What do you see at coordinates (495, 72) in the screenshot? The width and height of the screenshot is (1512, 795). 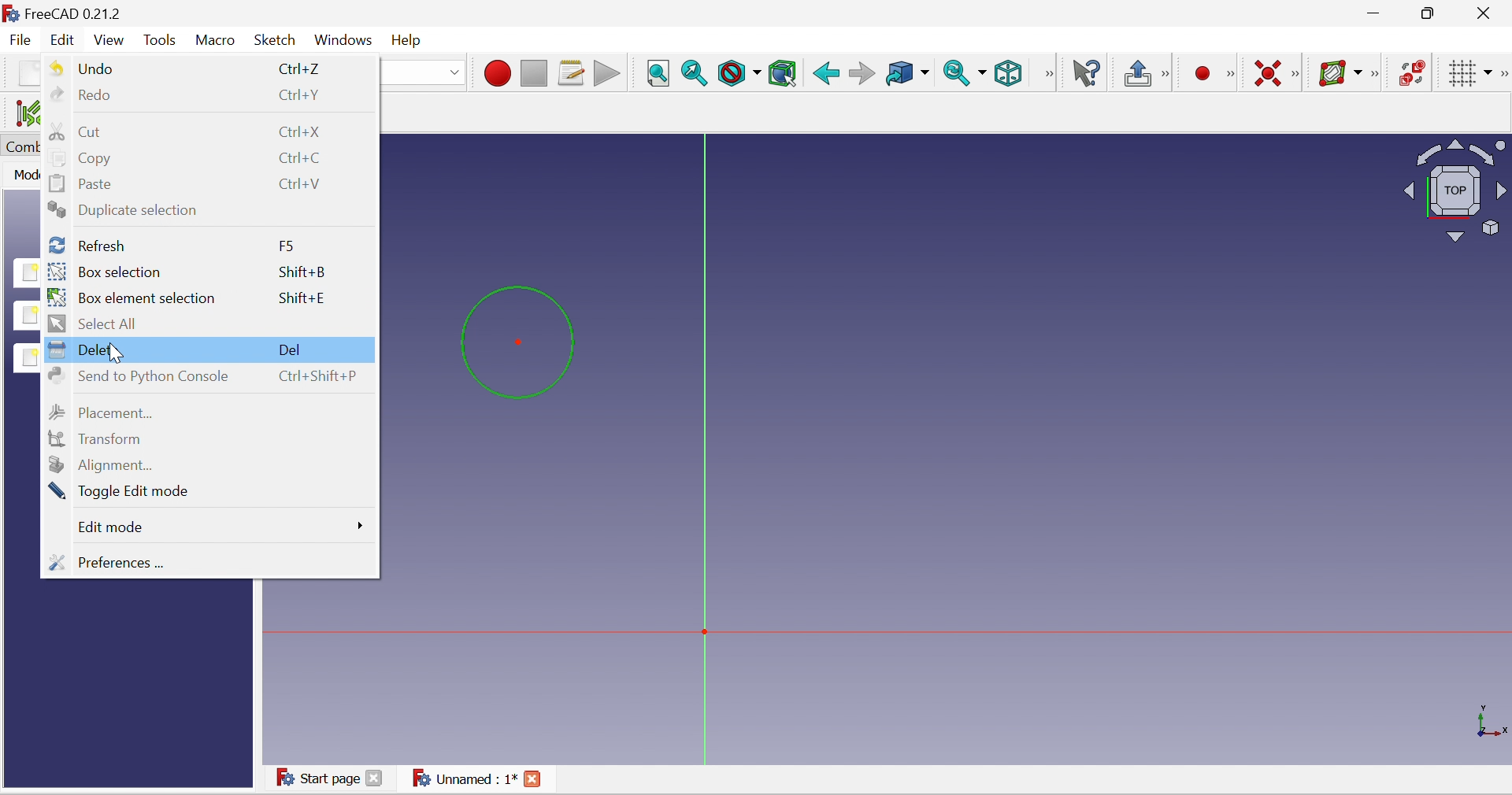 I see `Macro recording` at bounding box center [495, 72].